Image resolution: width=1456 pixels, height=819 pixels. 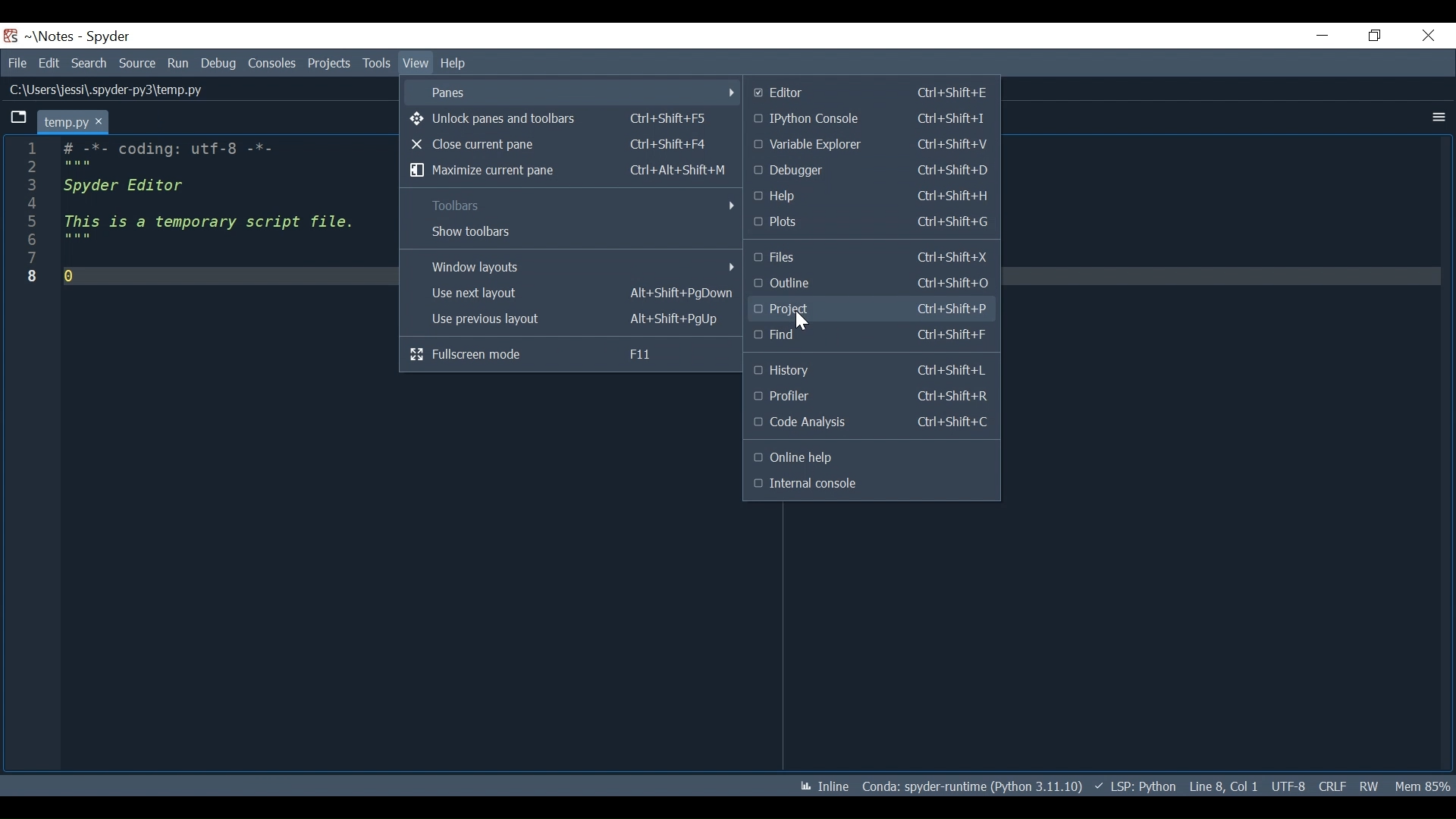 What do you see at coordinates (377, 64) in the screenshot?
I see `Tools` at bounding box center [377, 64].